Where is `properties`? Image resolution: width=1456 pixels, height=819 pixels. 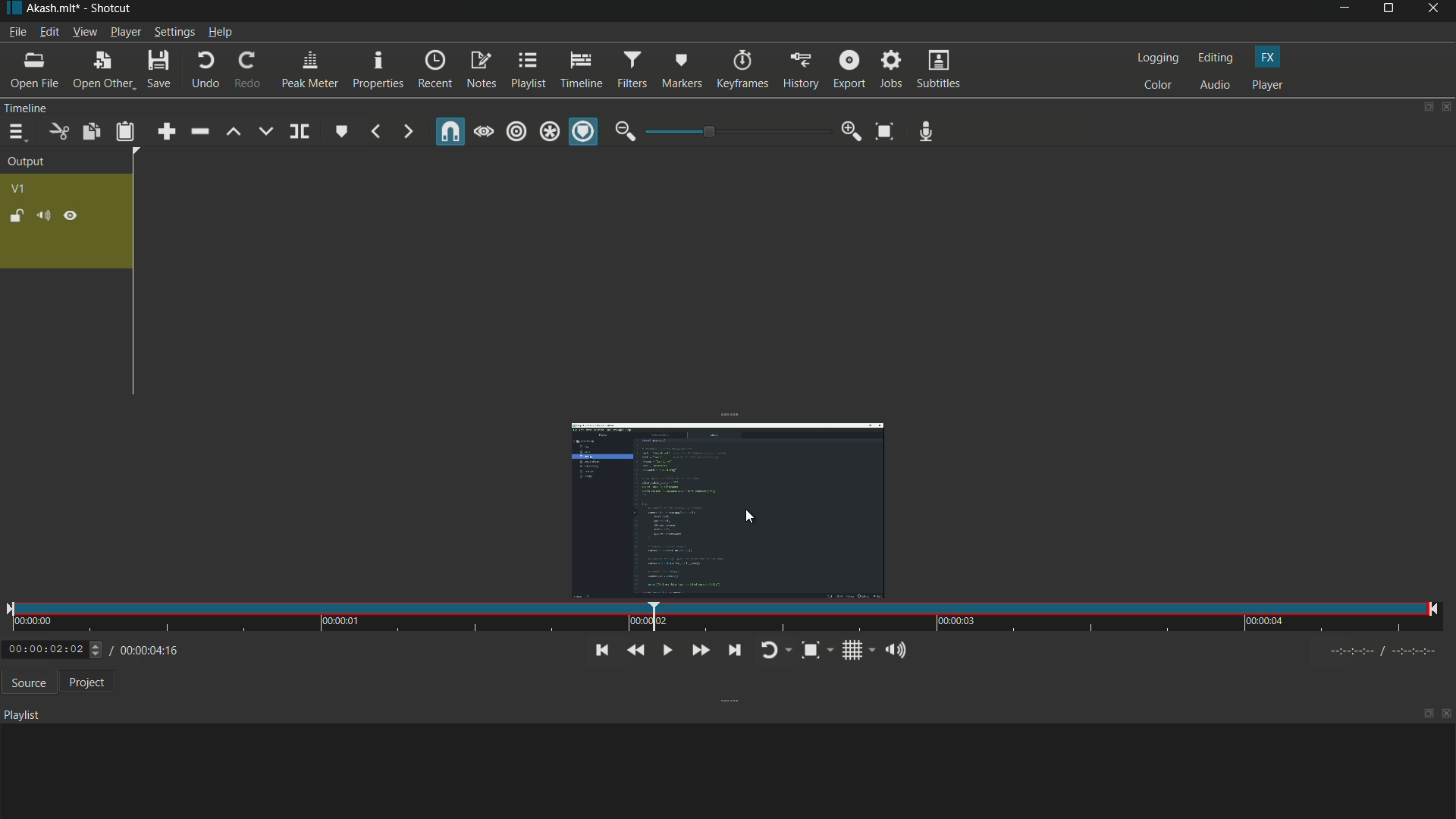
properties is located at coordinates (376, 70).